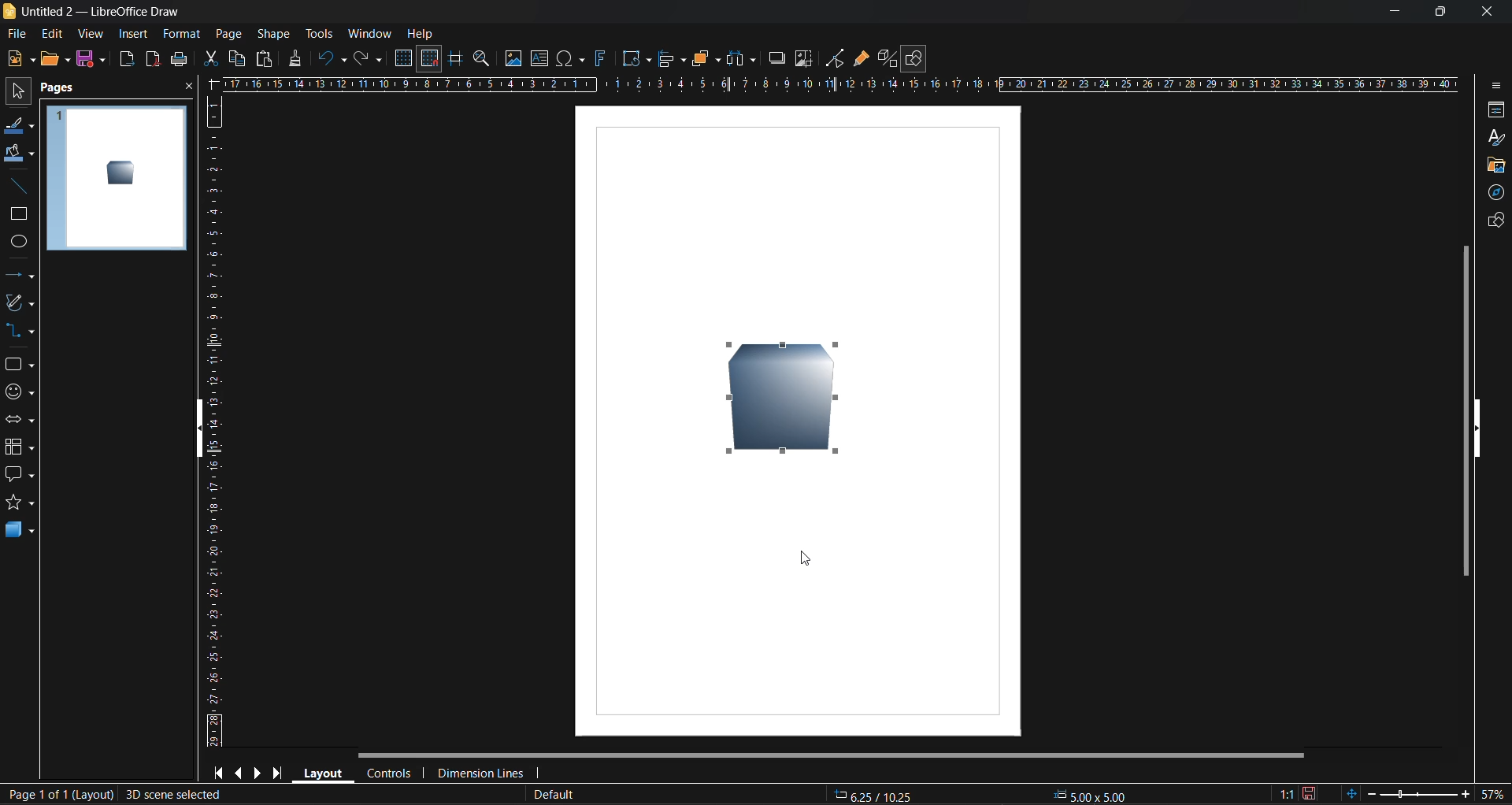 This screenshot has height=805, width=1512. What do you see at coordinates (704, 58) in the screenshot?
I see `arrange` at bounding box center [704, 58].